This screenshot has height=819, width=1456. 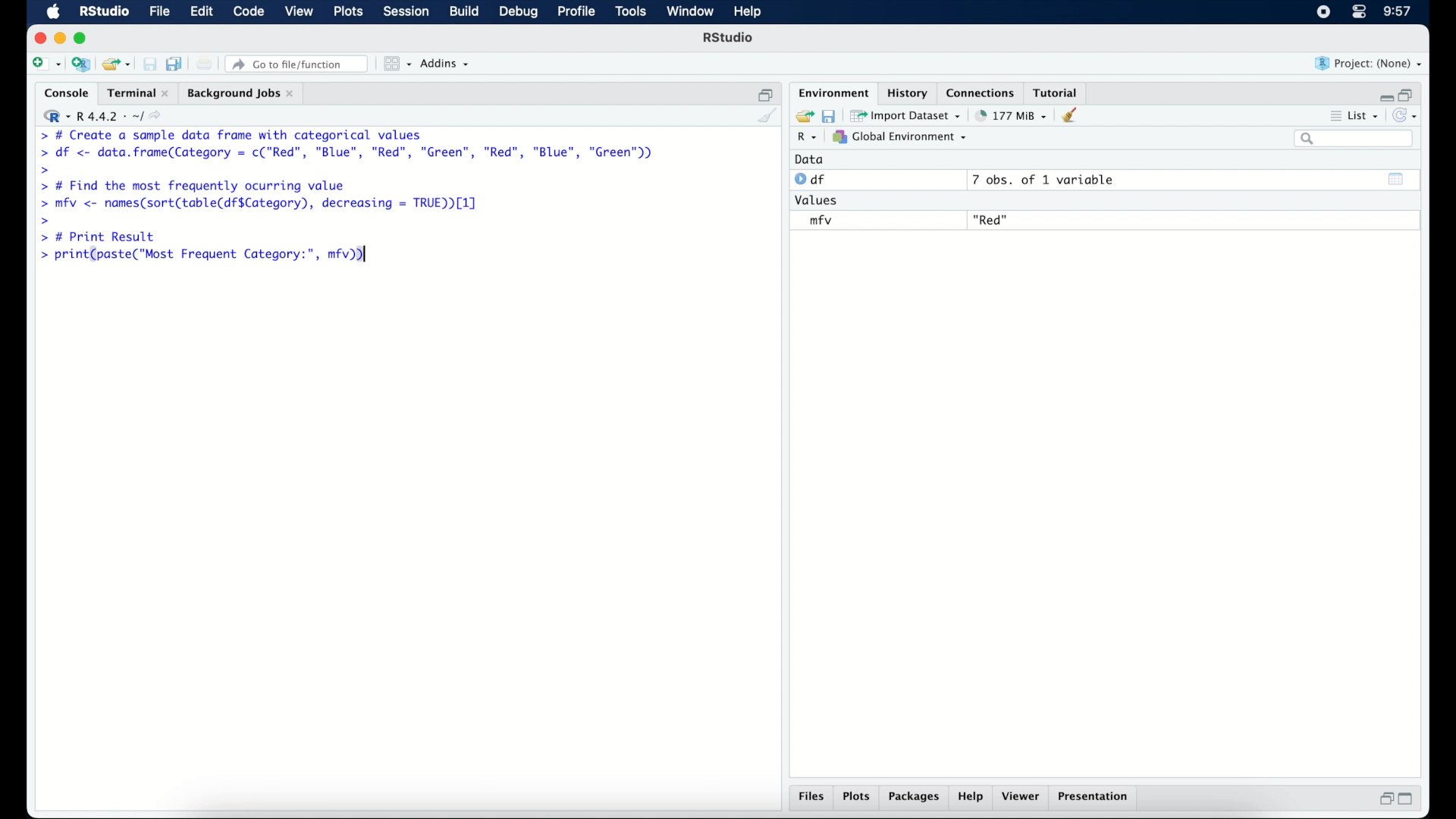 What do you see at coordinates (261, 204) in the screenshot?
I see `> mfv <- names(sort(table(df$Category), decreasing = TRUE [1]` at bounding box center [261, 204].